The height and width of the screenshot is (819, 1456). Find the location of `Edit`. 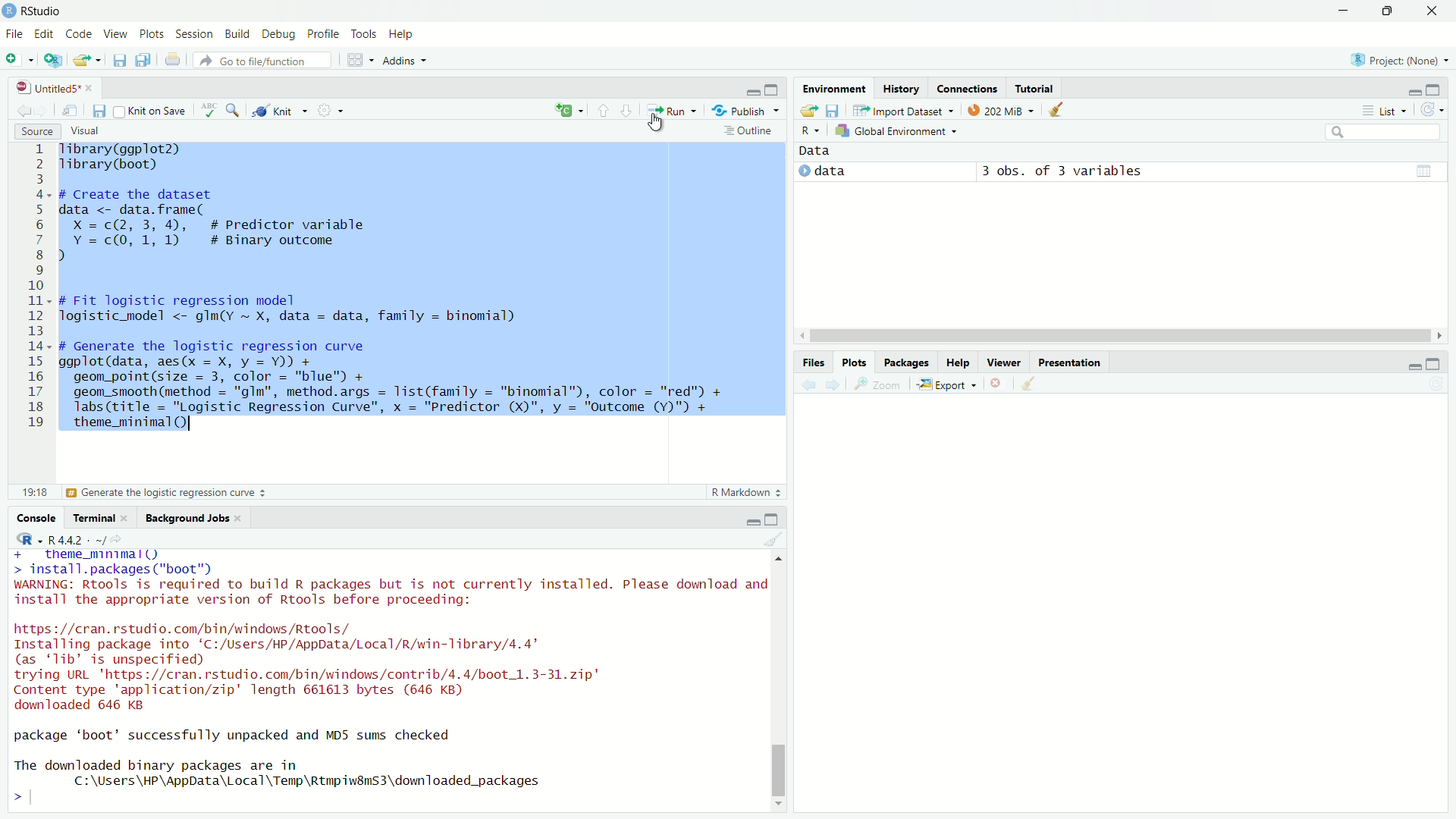

Edit is located at coordinates (42, 33).